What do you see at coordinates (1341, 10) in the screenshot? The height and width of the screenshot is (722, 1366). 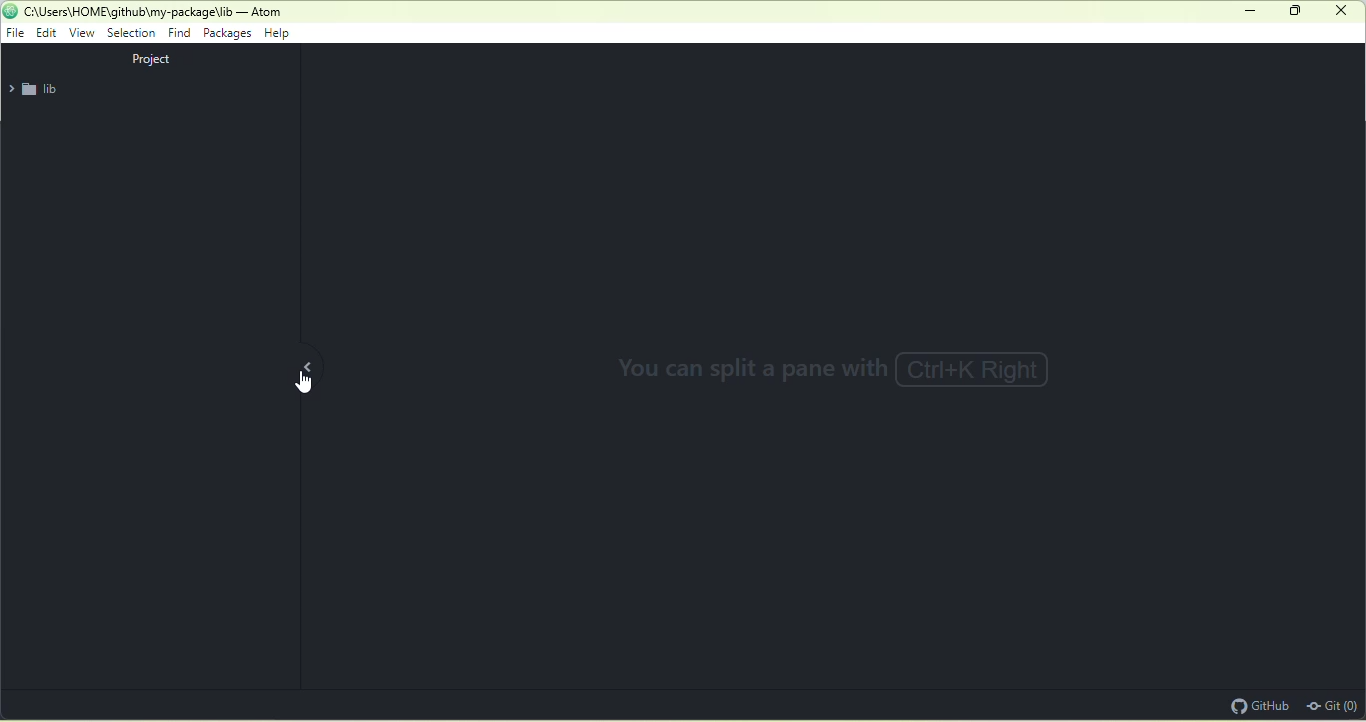 I see `close` at bounding box center [1341, 10].